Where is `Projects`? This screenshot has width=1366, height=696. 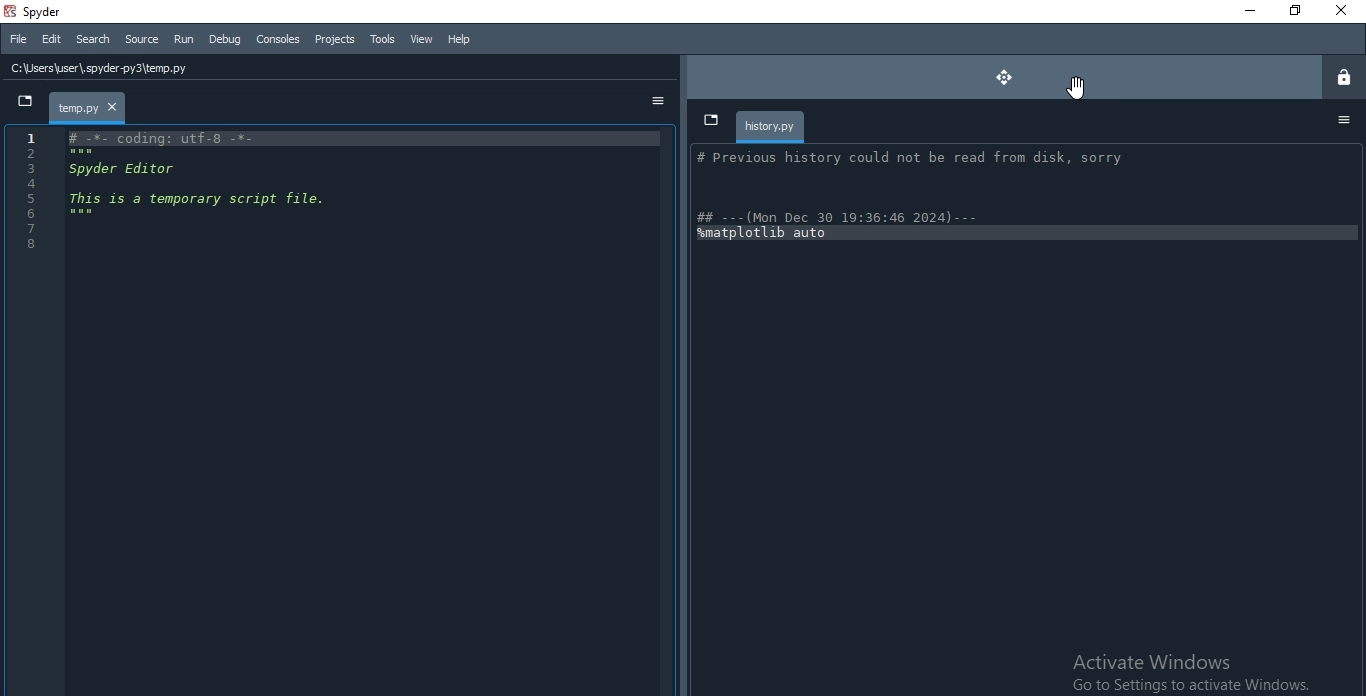 Projects is located at coordinates (334, 40).